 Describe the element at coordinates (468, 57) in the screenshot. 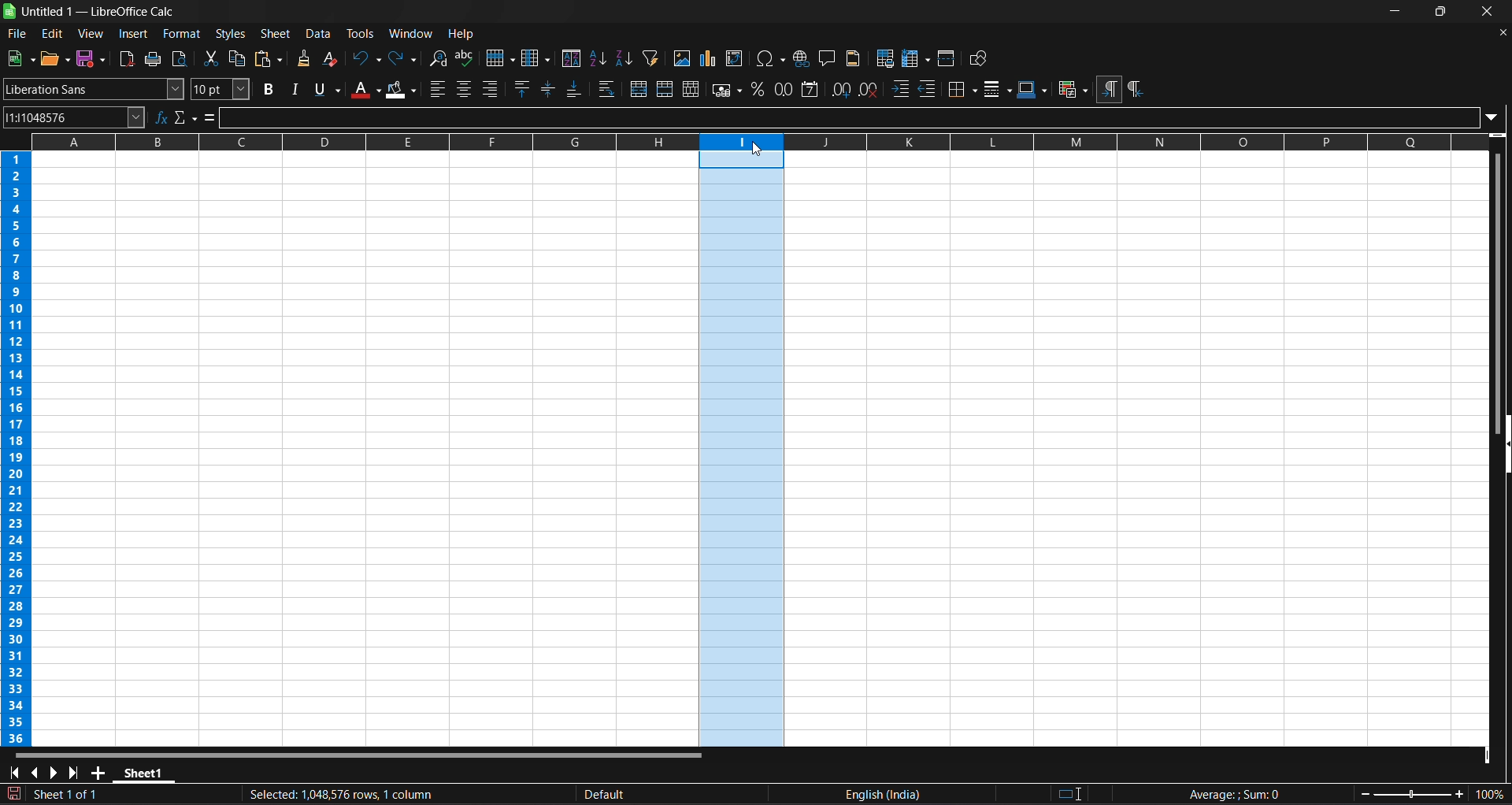

I see `spelling` at that location.